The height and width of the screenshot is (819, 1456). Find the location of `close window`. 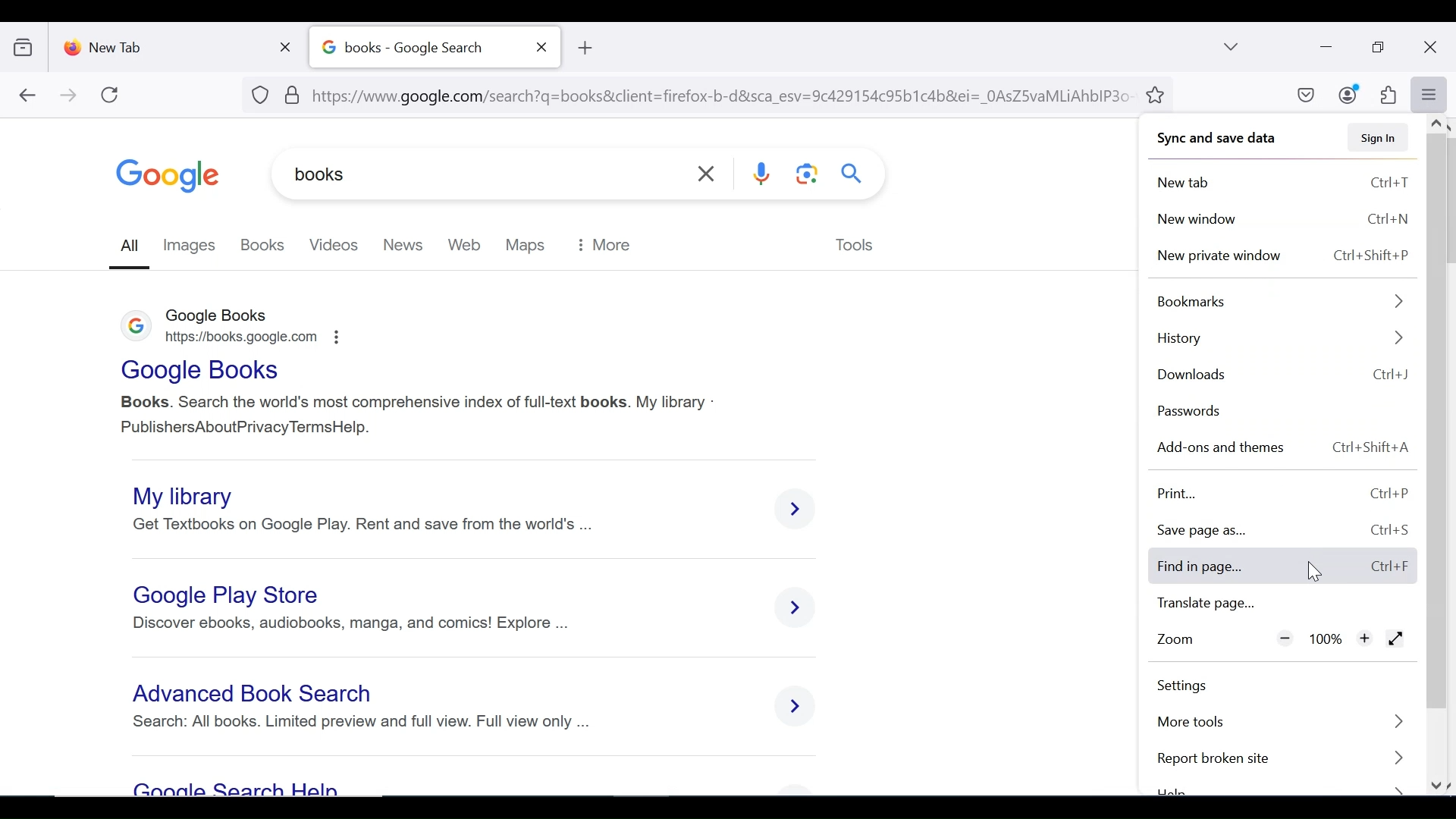

close window is located at coordinates (1431, 48).